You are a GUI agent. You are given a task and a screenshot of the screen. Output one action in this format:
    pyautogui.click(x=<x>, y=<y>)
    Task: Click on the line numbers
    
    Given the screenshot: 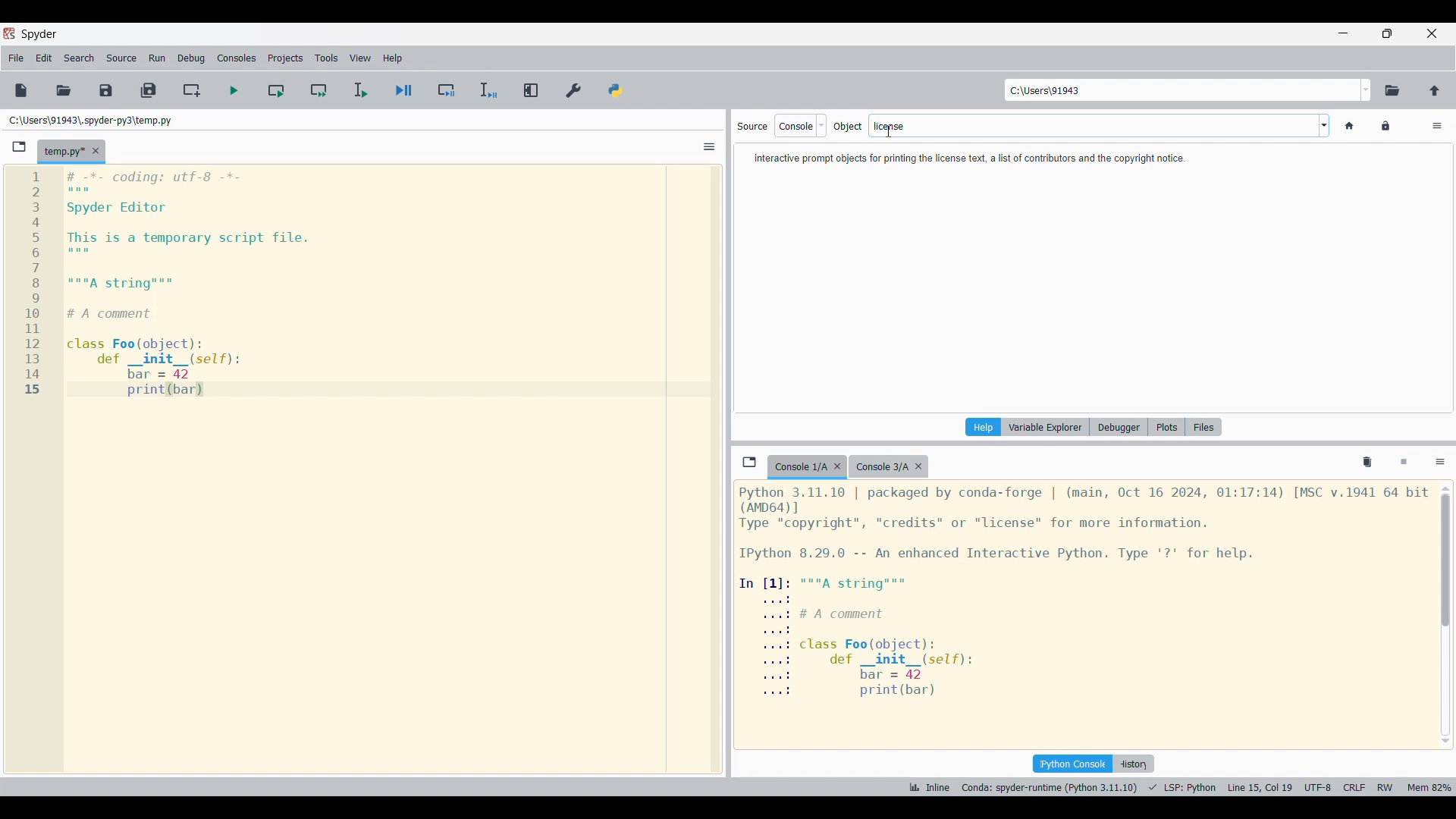 What is the action you would take?
    pyautogui.click(x=33, y=283)
    